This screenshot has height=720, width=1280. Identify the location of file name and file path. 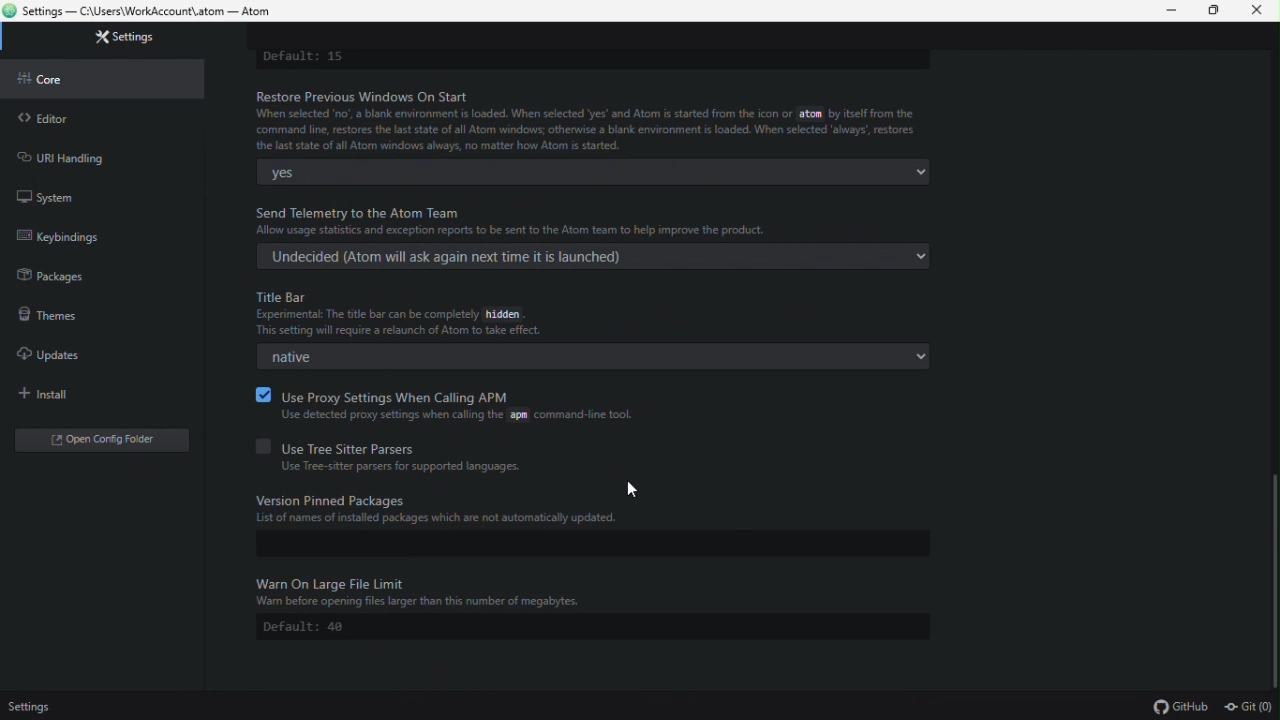
(147, 12).